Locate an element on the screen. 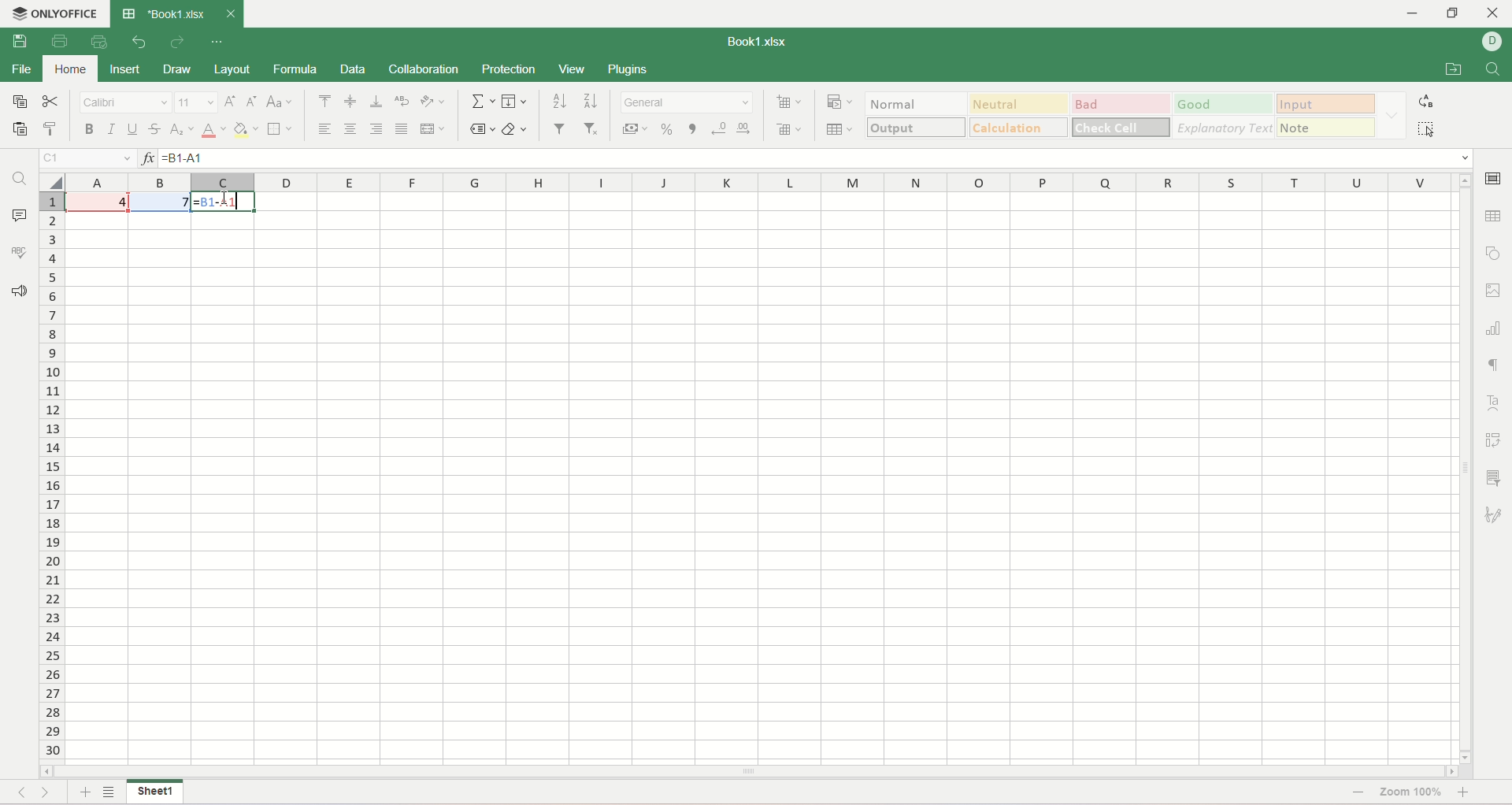 The width and height of the screenshot is (1512, 805). named ranges is located at coordinates (480, 131).